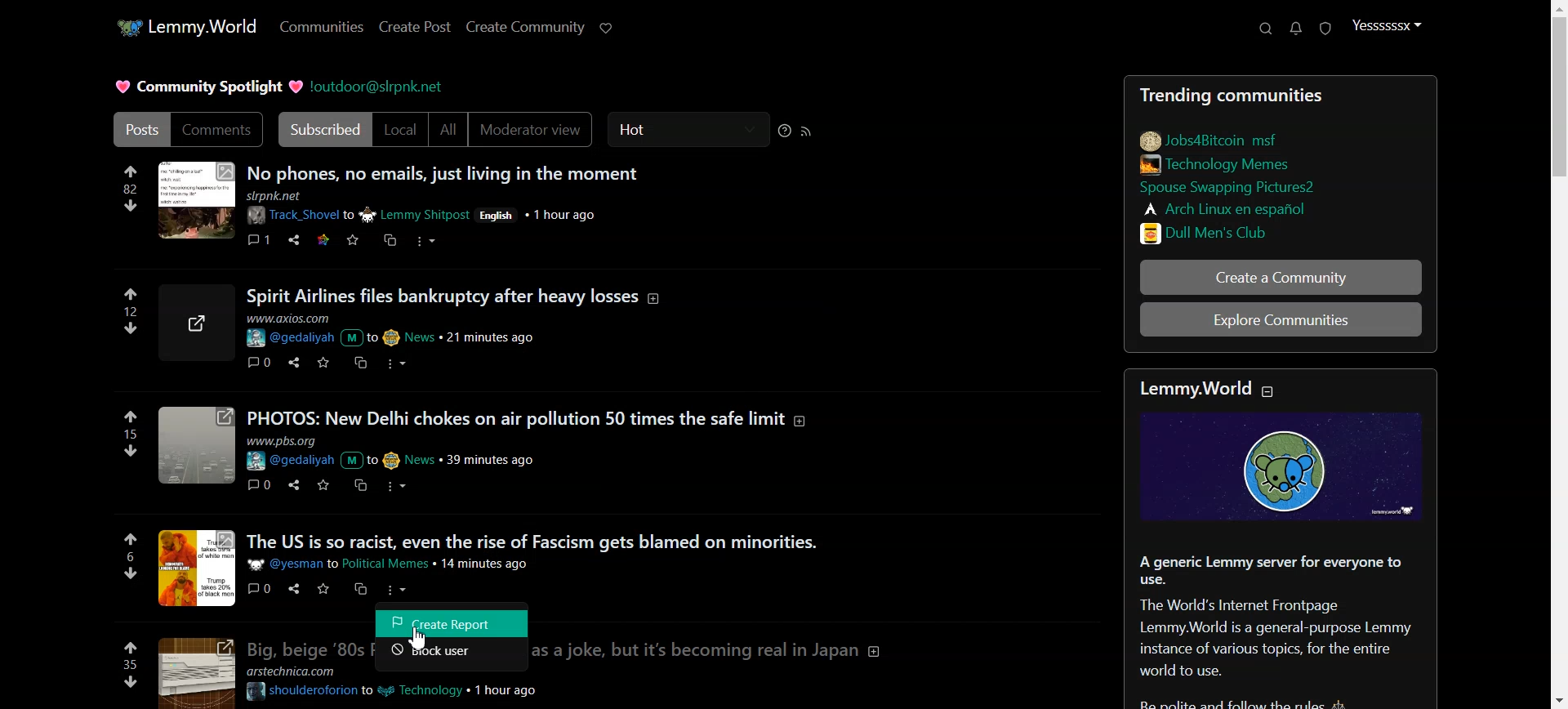 Image resolution: width=1568 pixels, height=709 pixels. I want to click on post details, so click(448, 208).